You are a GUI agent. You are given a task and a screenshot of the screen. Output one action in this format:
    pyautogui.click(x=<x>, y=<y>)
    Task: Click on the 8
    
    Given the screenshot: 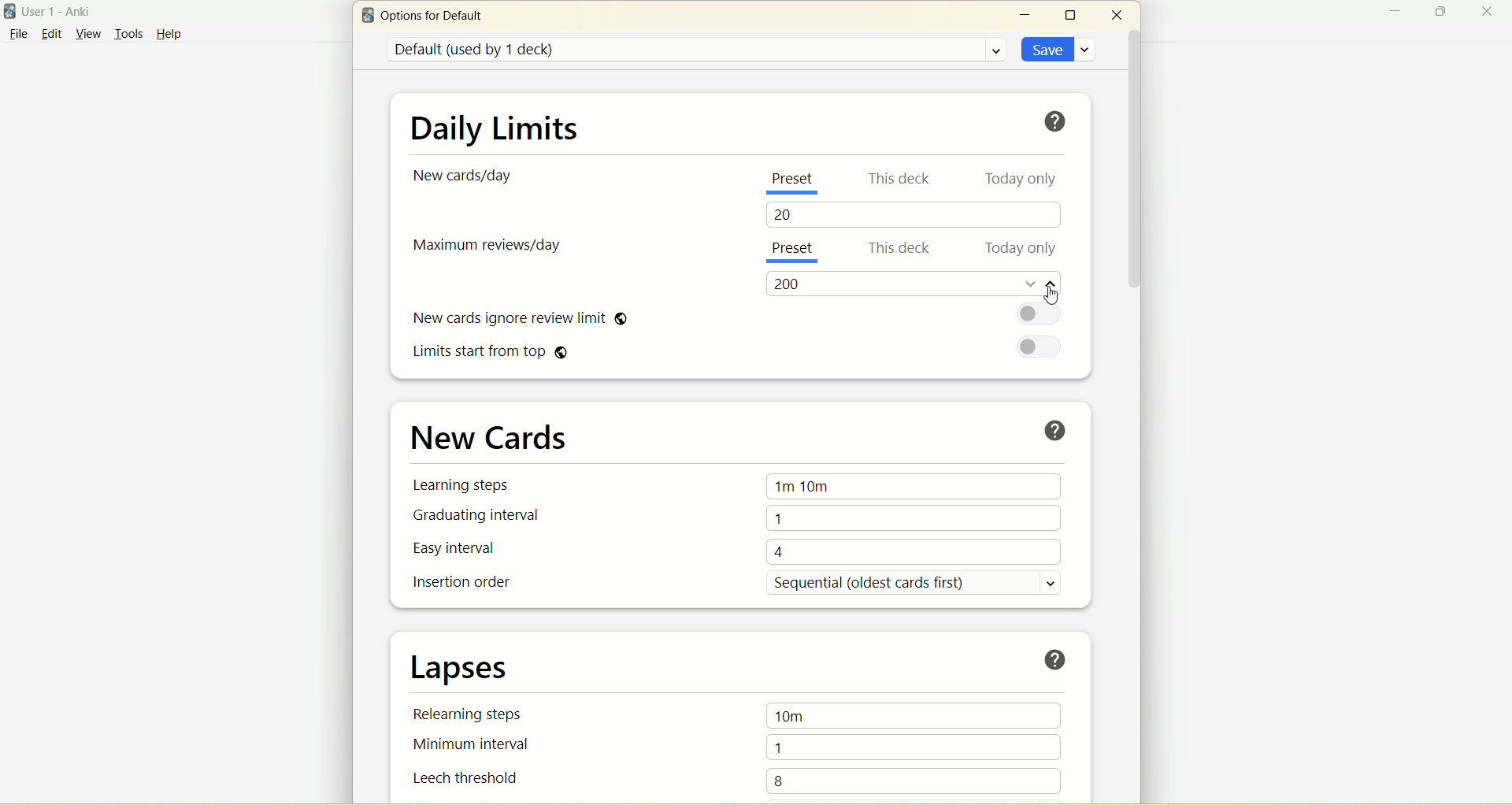 What is the action you would take?
    pyautogui.click(x=919, y=782)
    